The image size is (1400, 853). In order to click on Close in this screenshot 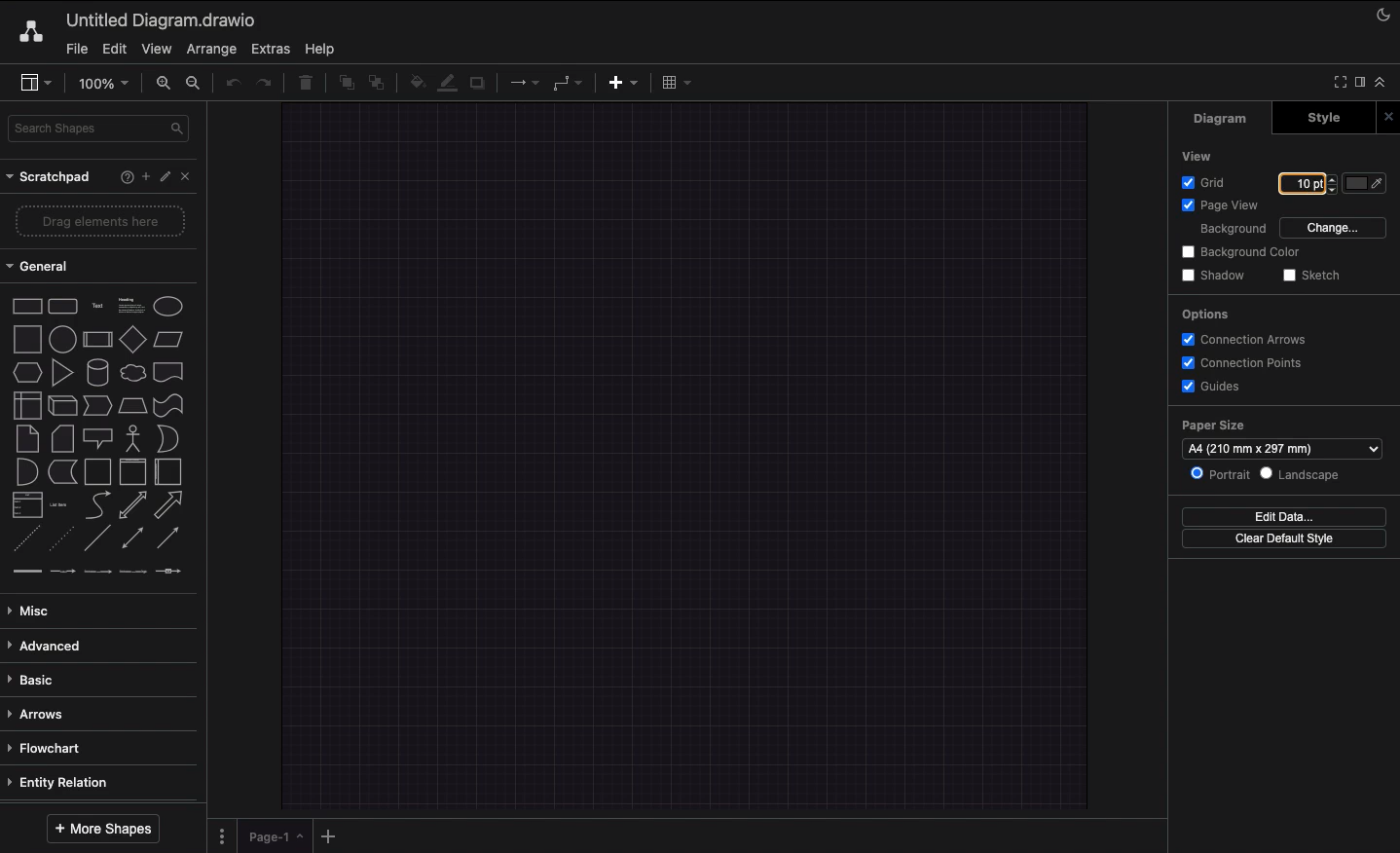, I will do `click(189, 178)`.